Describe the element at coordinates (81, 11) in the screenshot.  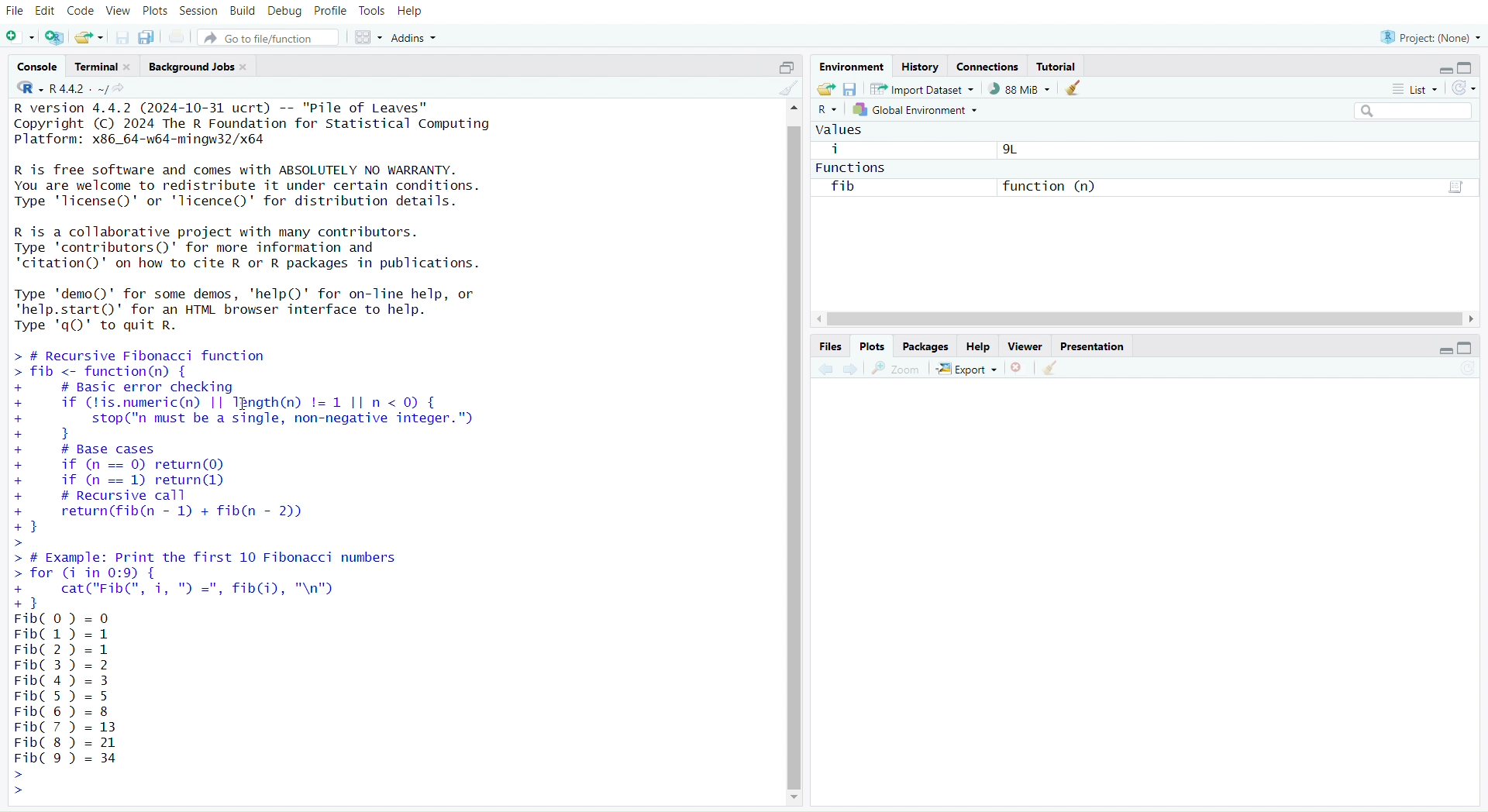
I see `code` at that location.